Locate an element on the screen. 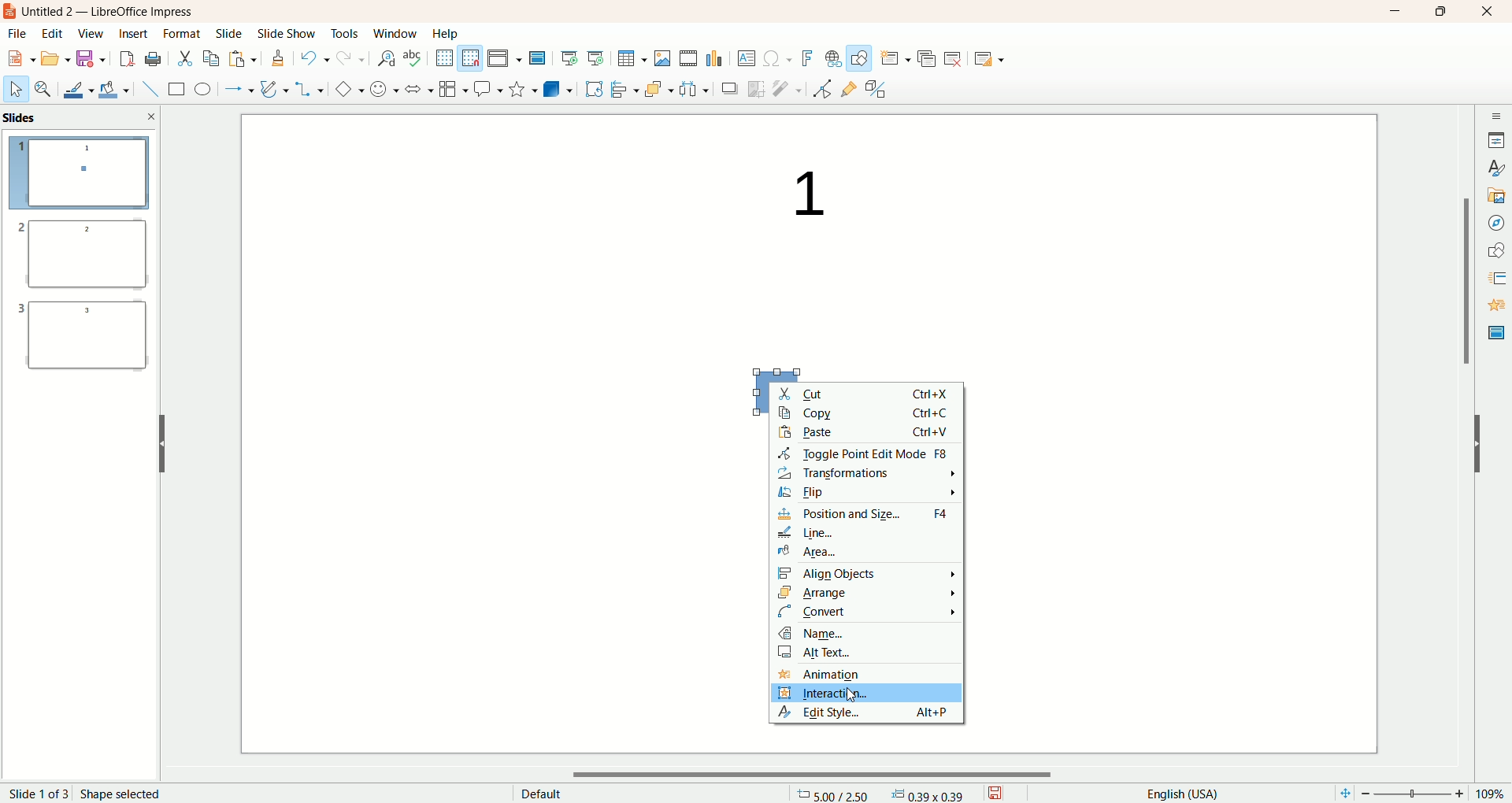 The height and width of the screenshot is (803, 1512). toggle extrusion is located at coordinates (879, 90).